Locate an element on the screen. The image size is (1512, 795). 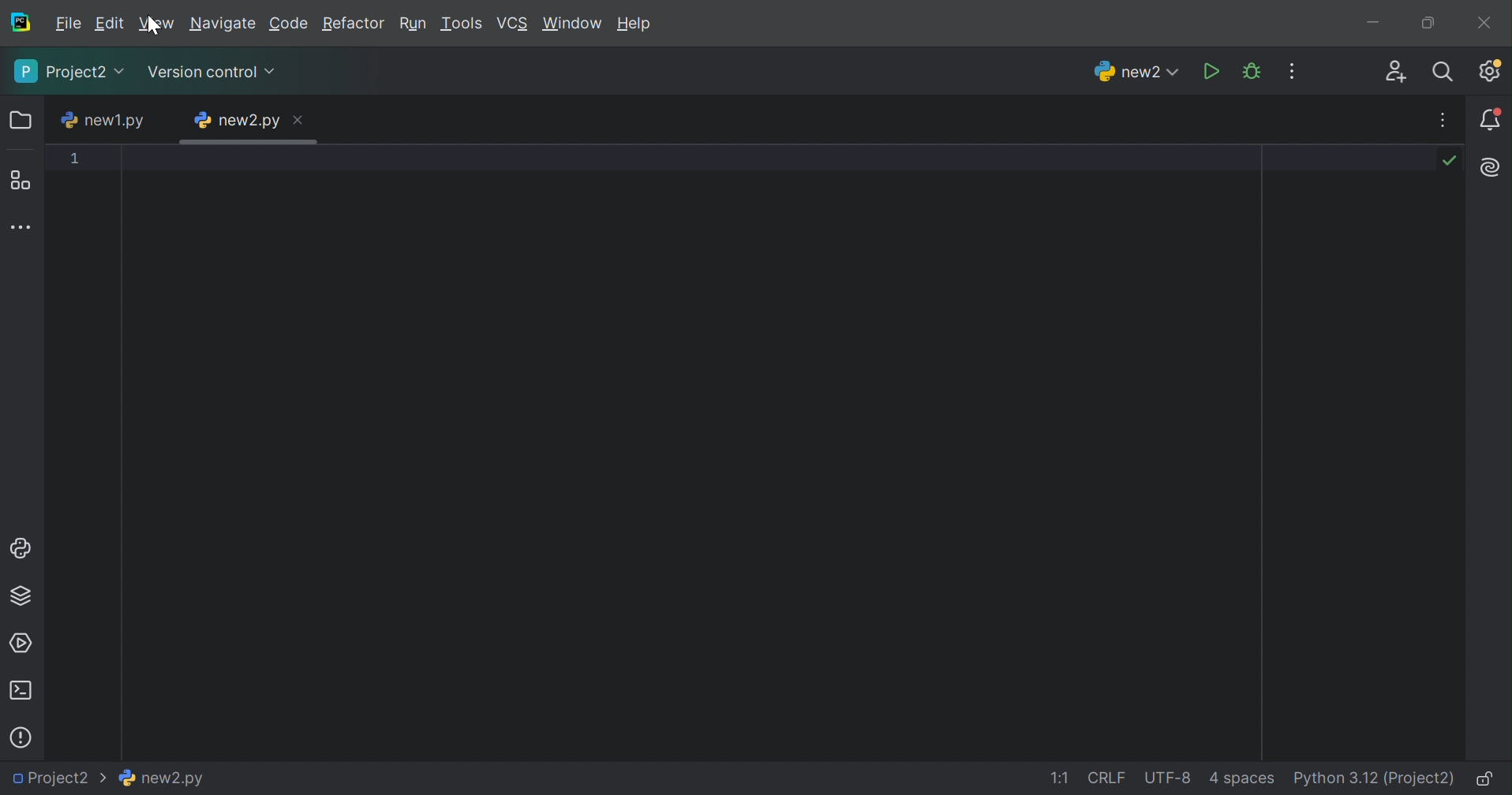
Services is located at coordinates (21, 645).